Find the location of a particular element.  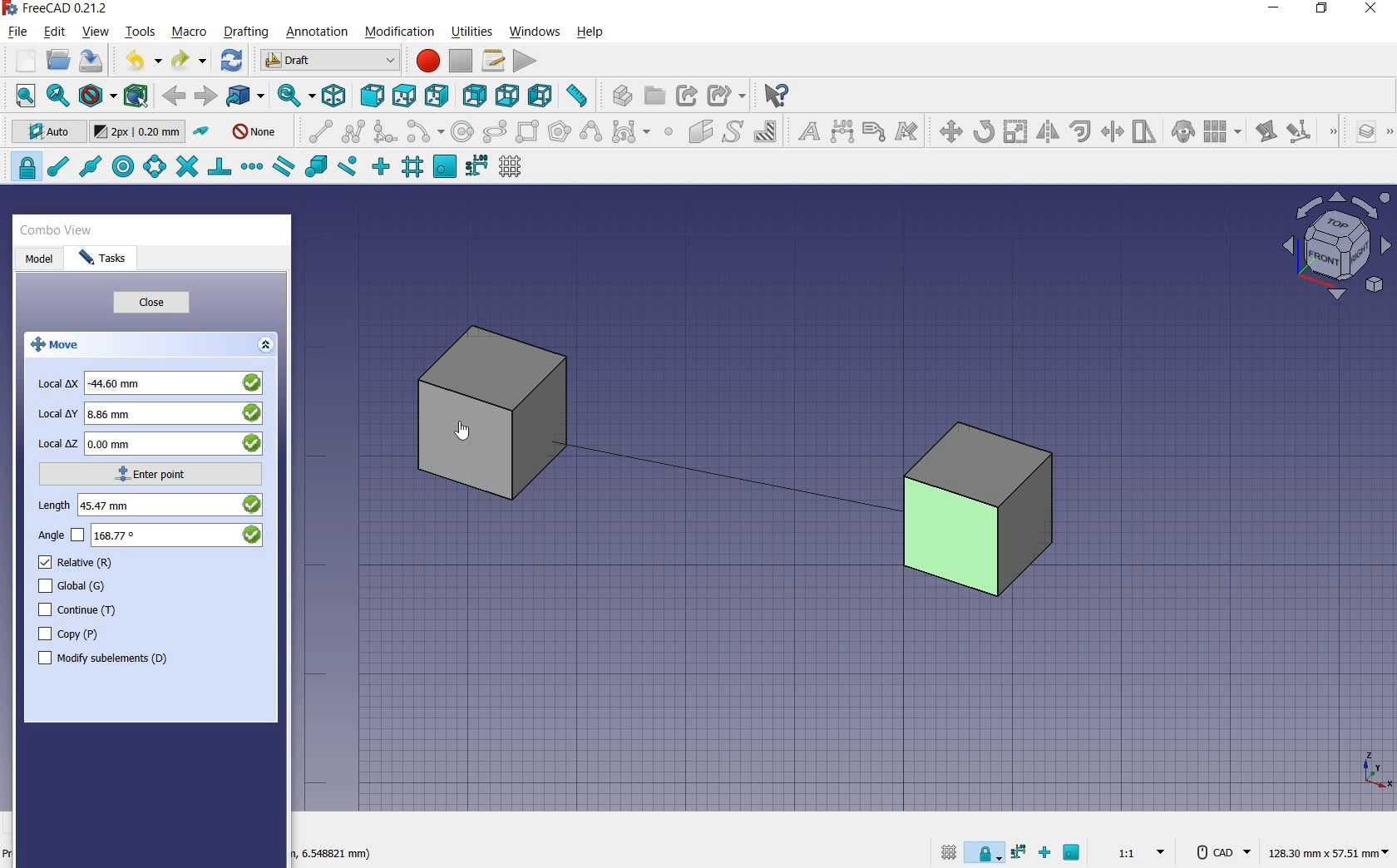

execute macro is located at coordinates (524, 62).